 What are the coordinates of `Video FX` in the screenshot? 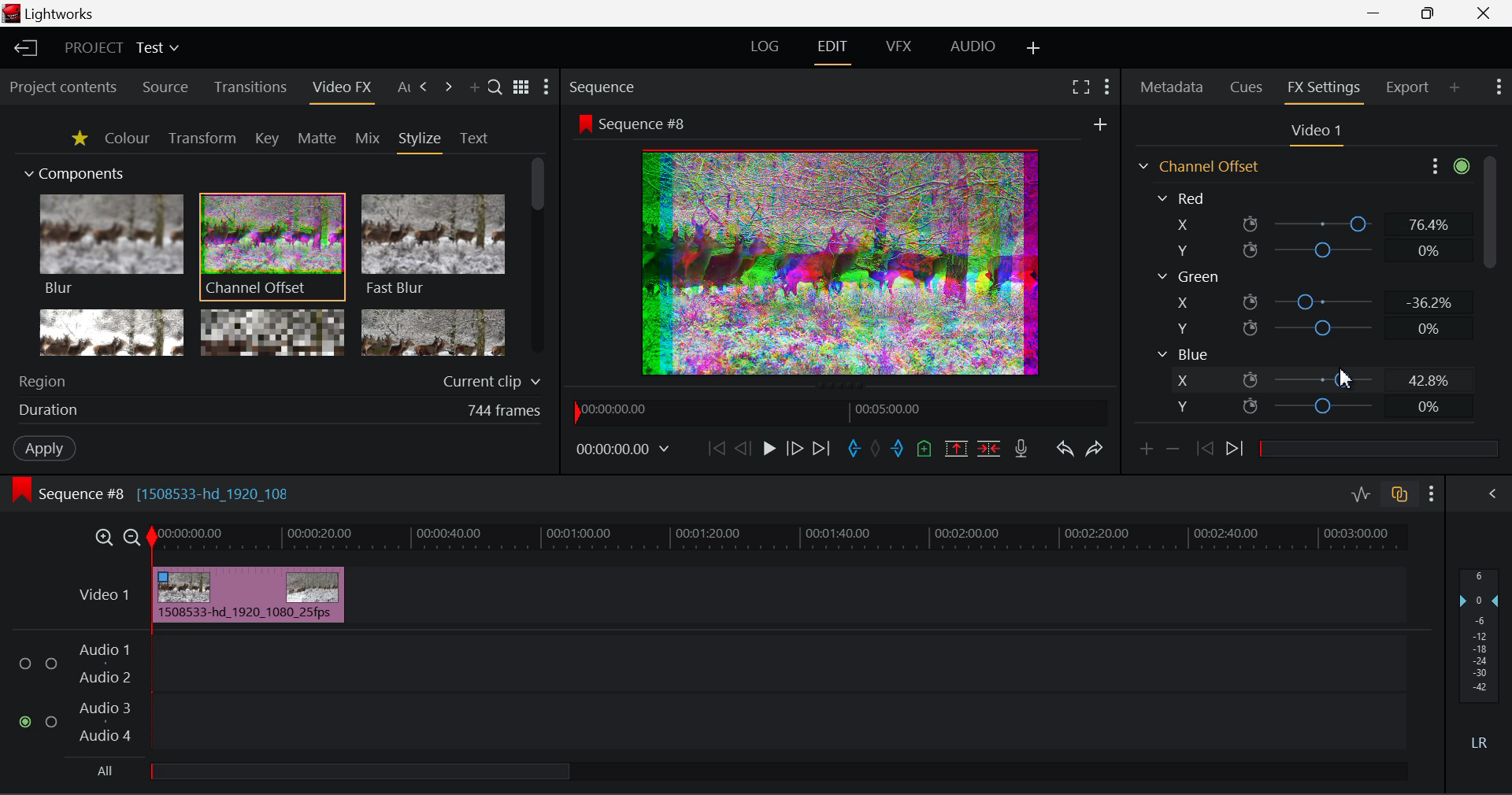 It's located at (341, 91).